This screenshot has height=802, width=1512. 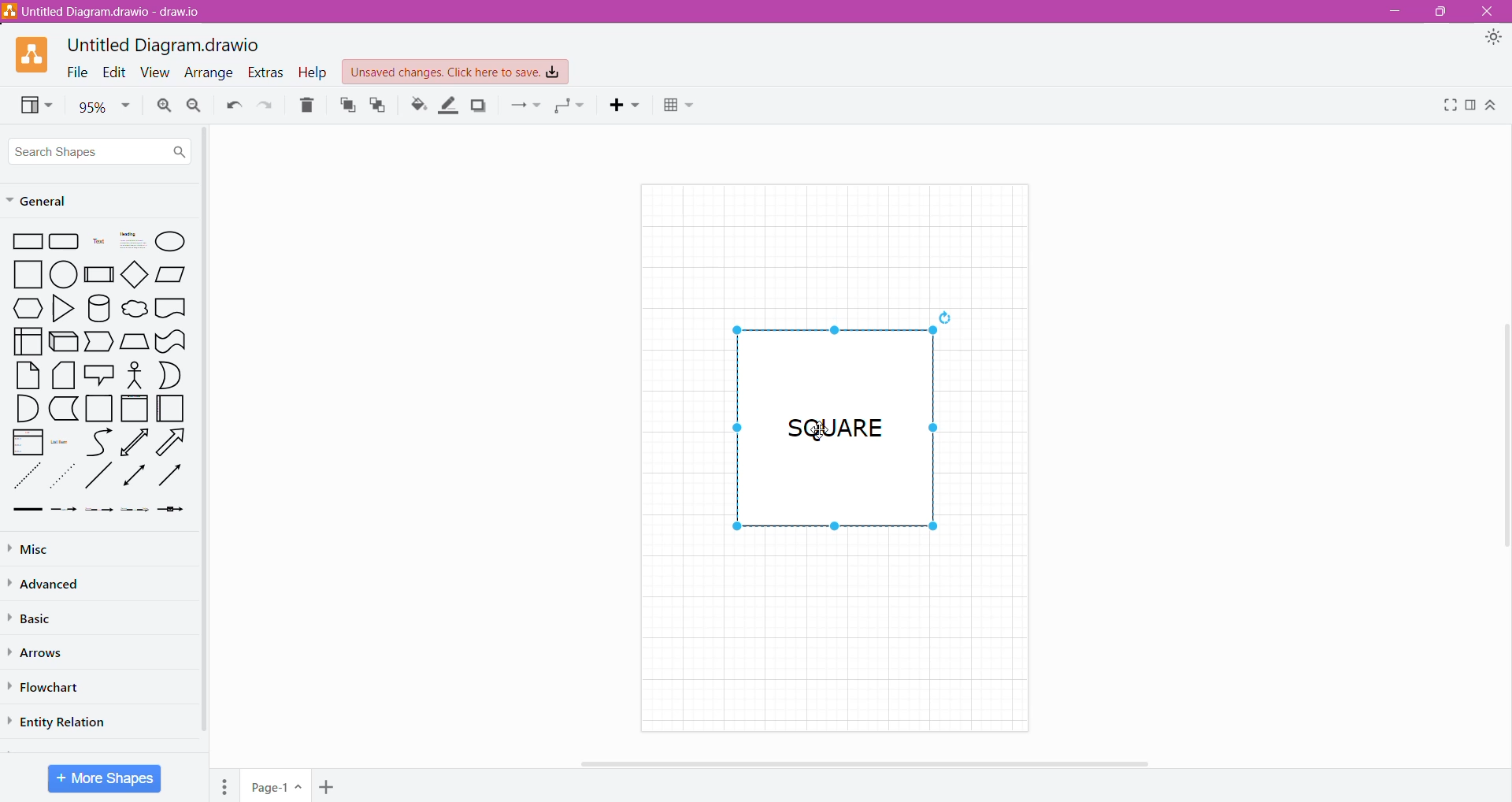 I want to click on circle, so click(x=64, y=273).